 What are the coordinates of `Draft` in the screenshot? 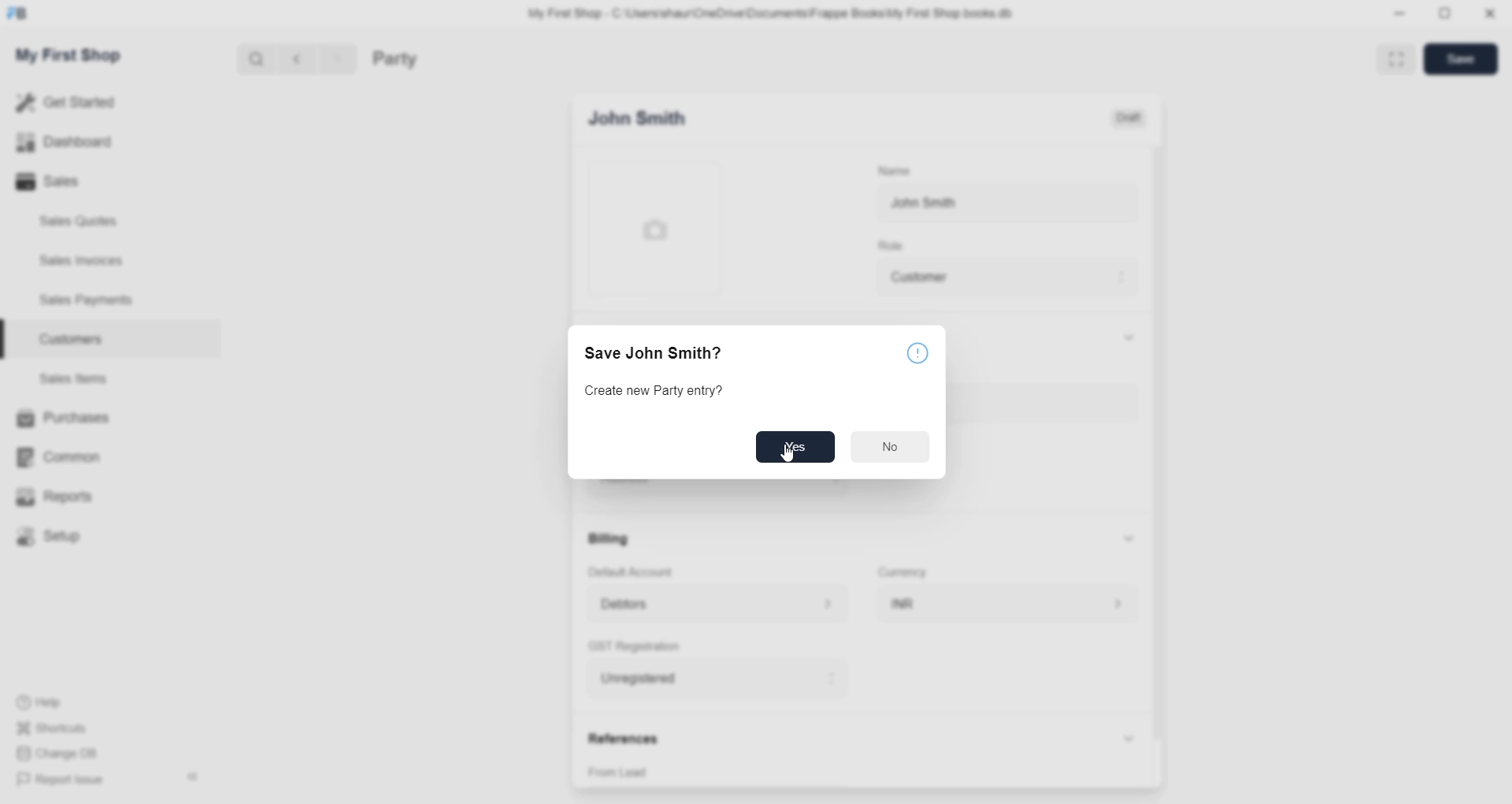 It's located at (1134, 119).